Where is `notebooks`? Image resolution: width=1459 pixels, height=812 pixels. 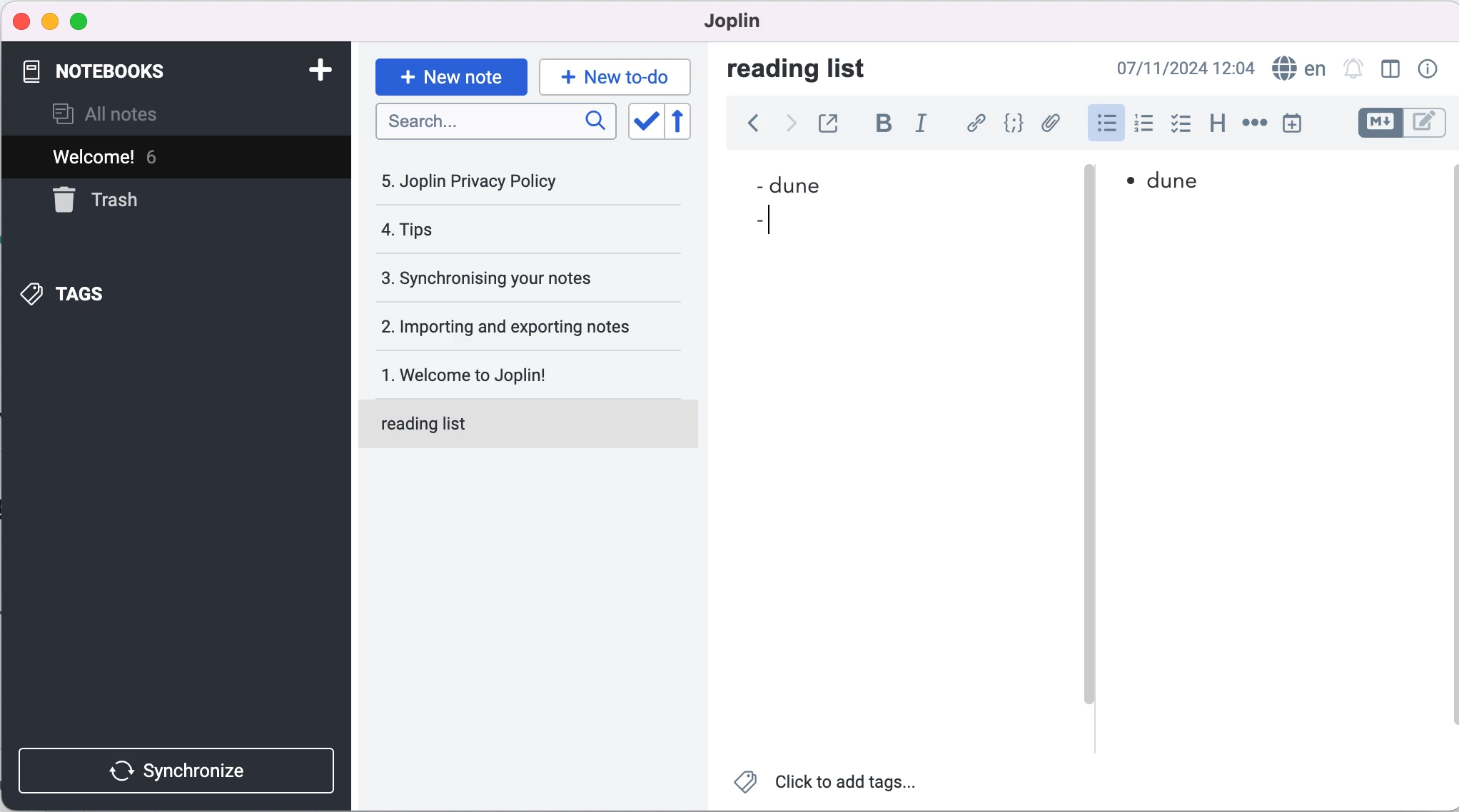
notebooks is located at coordinates (158, 71).